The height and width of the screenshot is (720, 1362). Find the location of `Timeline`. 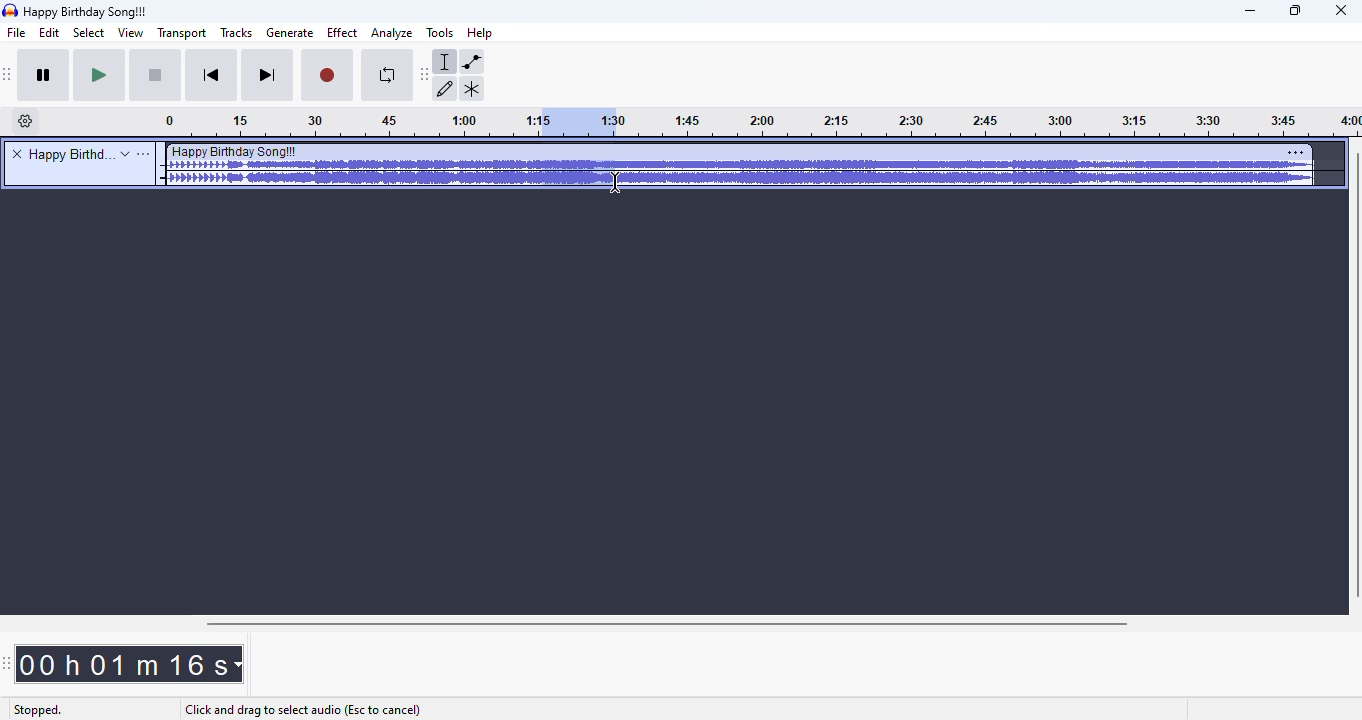

Timeline is located at coordinates (346, 123).